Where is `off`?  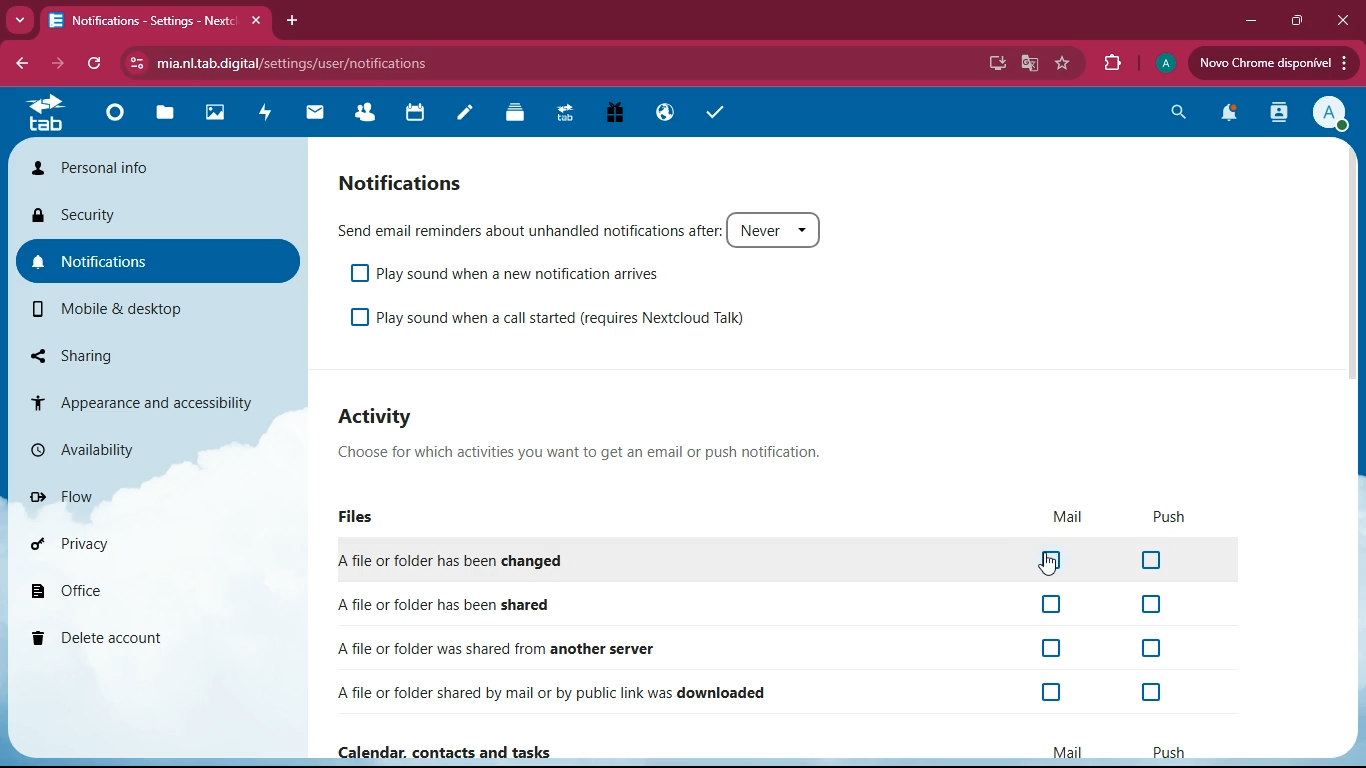 off is located at coordinates (1152, 605).